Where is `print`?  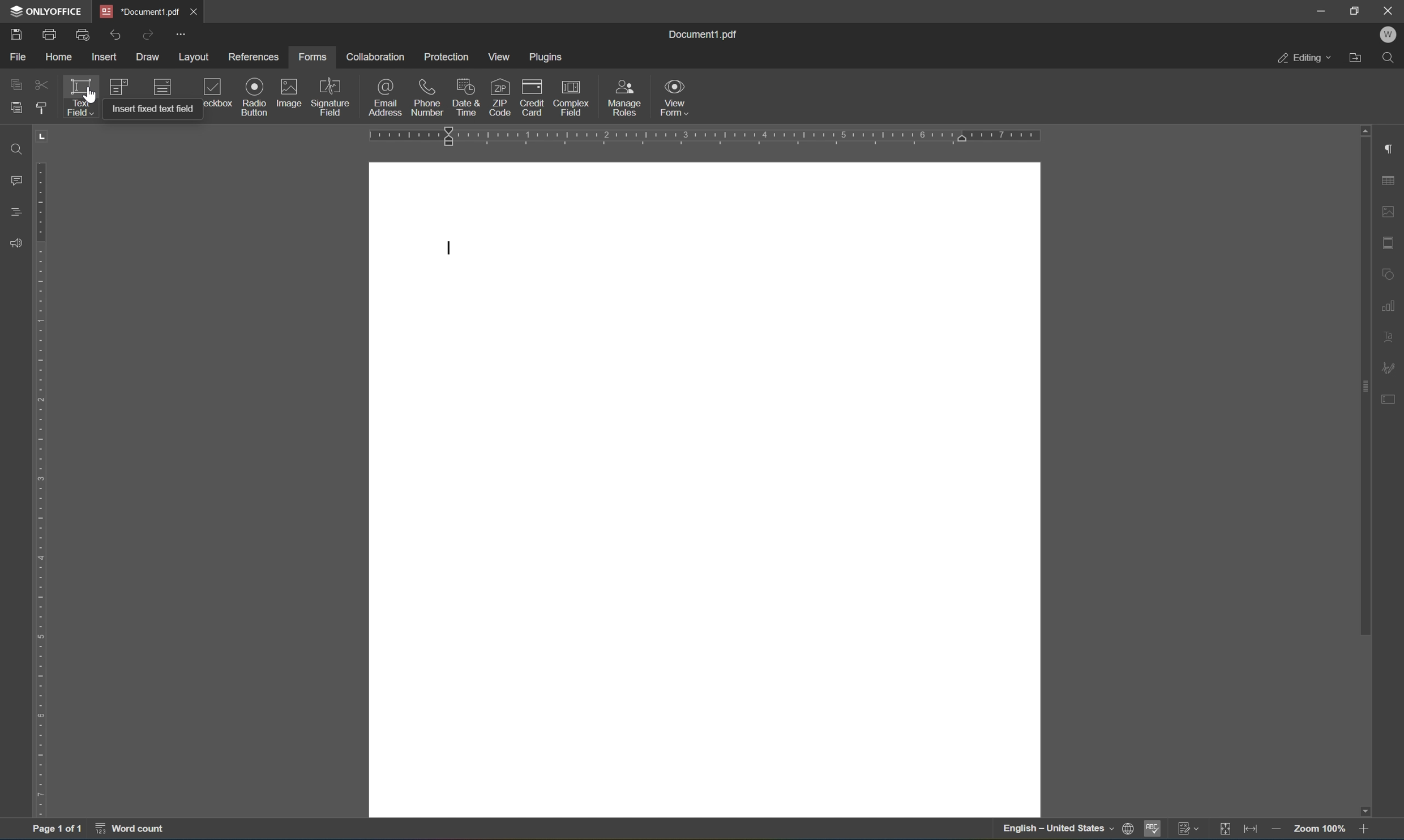 print is located at coordinates (48, 33).